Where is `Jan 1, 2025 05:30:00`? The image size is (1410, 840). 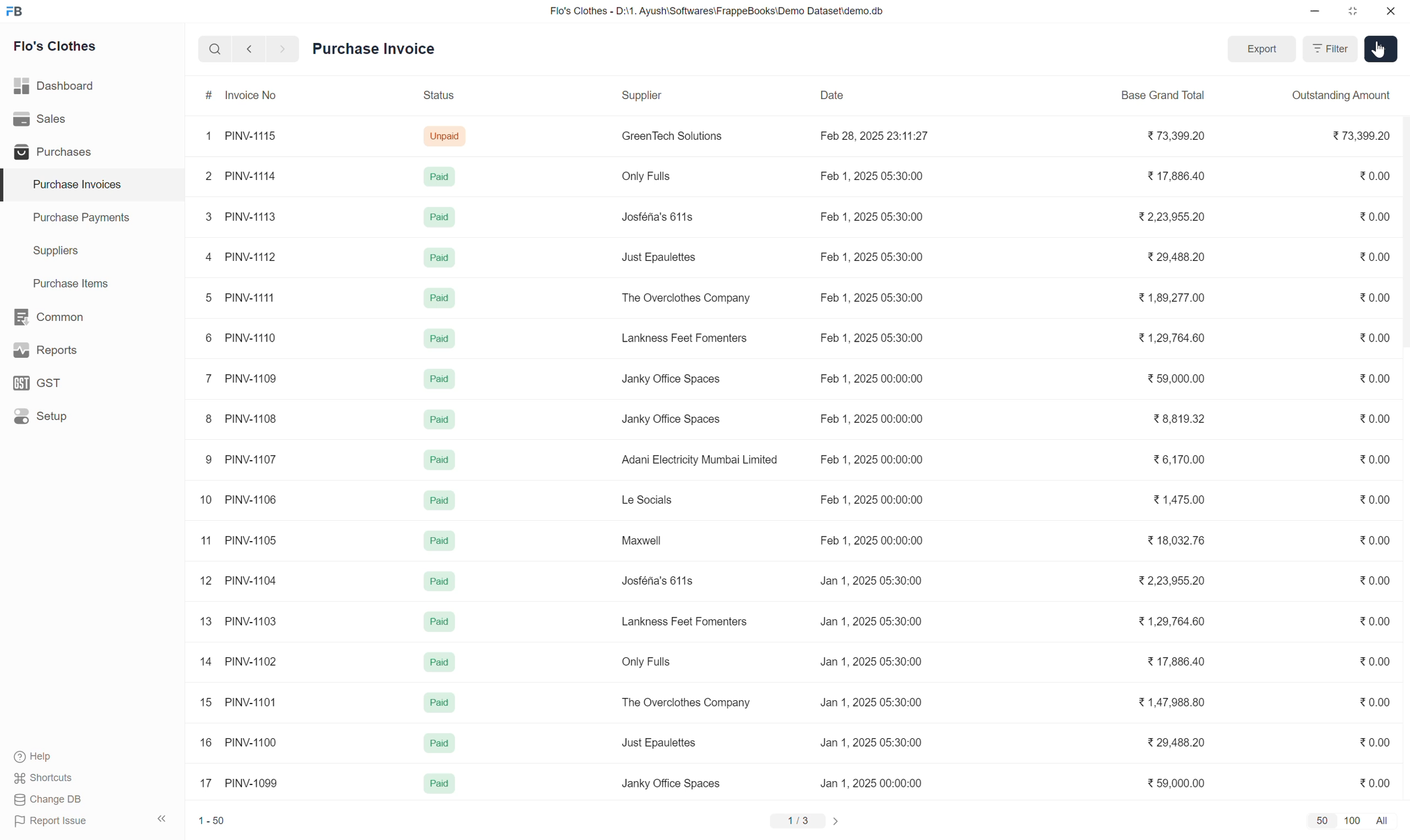 Jan 1, 2025 05:30:00 is located at coordinates (874, 662).